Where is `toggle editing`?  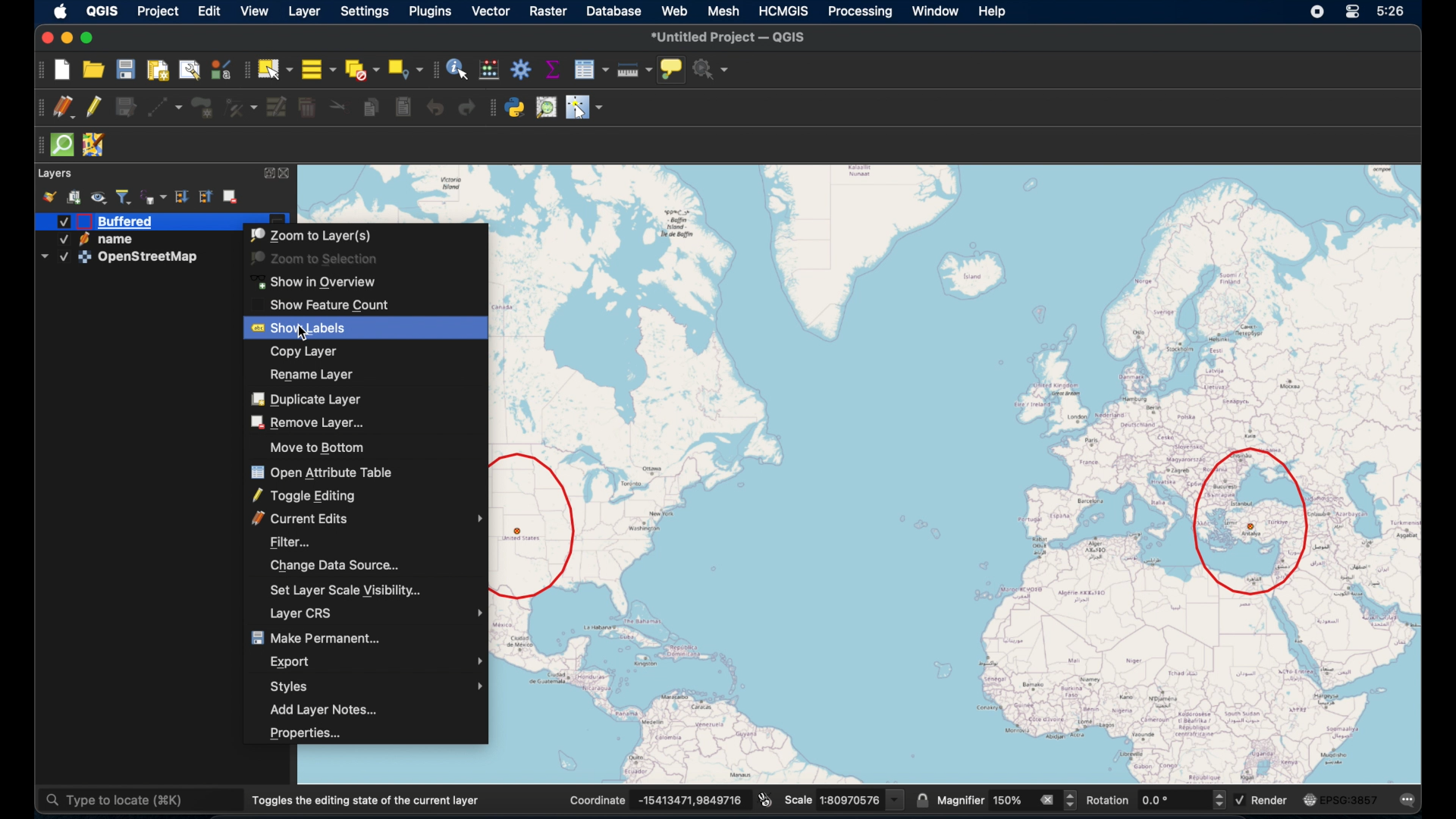 toggle editing is located at coordinates (304, 495).